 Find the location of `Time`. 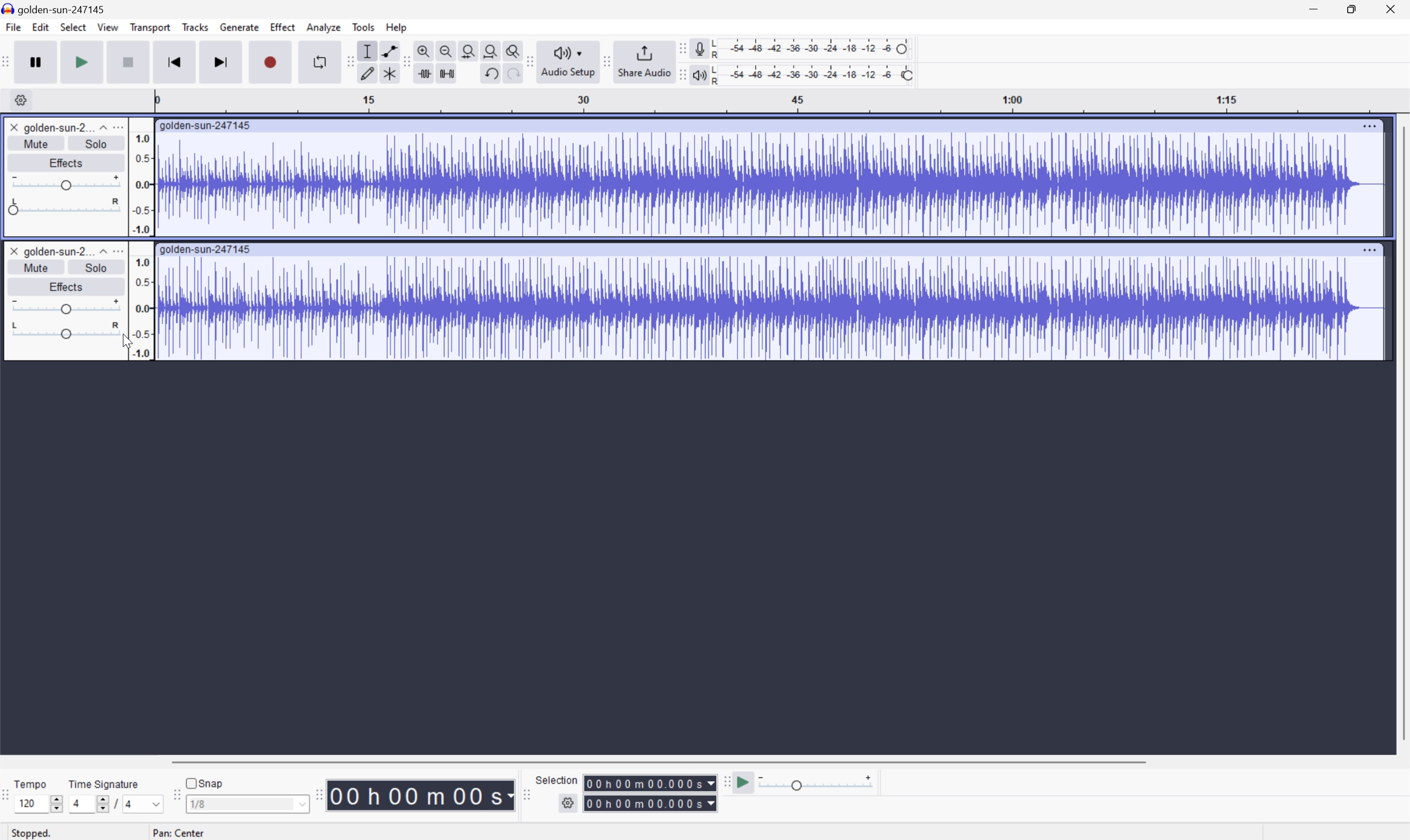

Time is located at coordinates (421, 796).